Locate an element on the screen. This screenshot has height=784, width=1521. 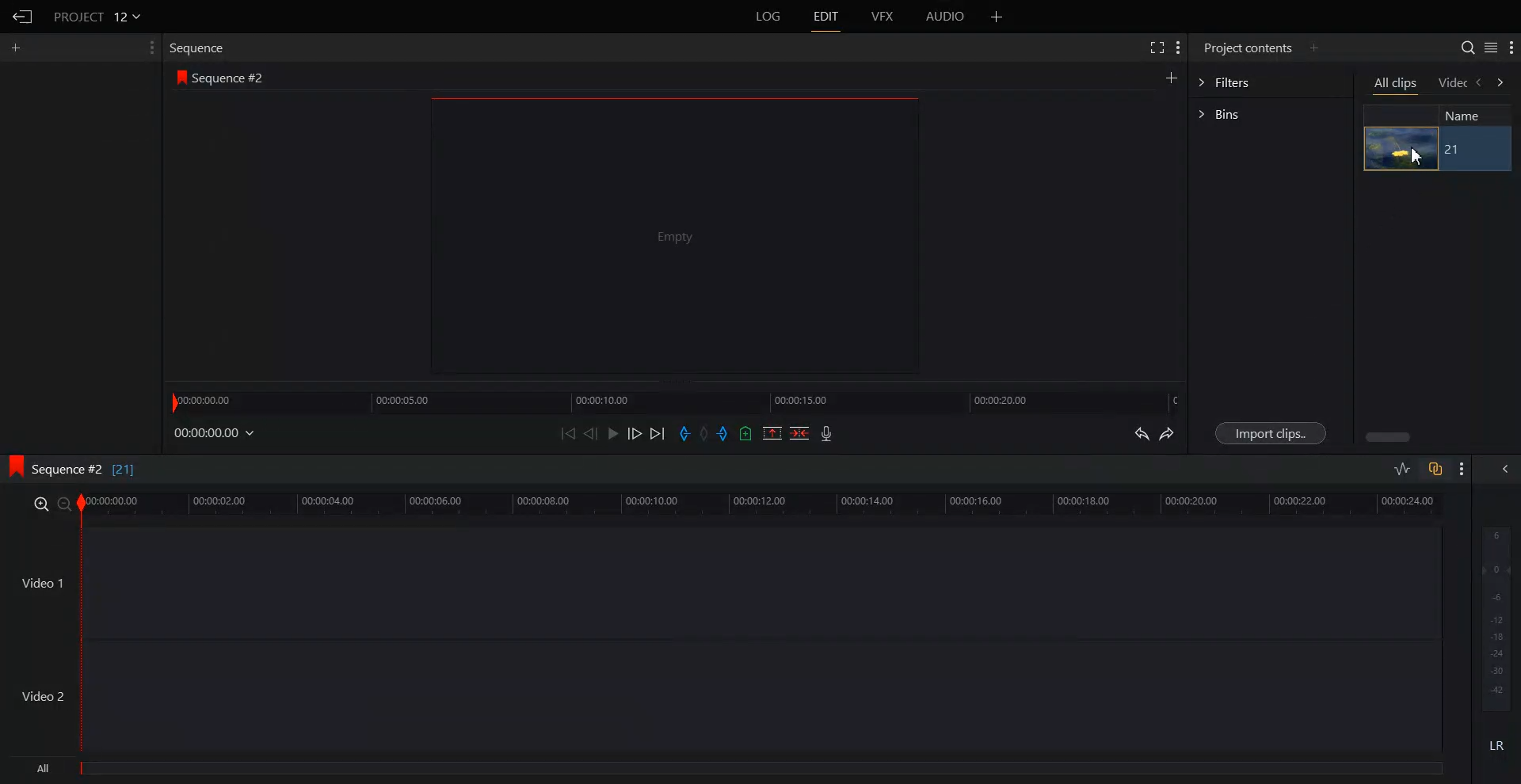
Import clips is located at coordinates (1269, 433).